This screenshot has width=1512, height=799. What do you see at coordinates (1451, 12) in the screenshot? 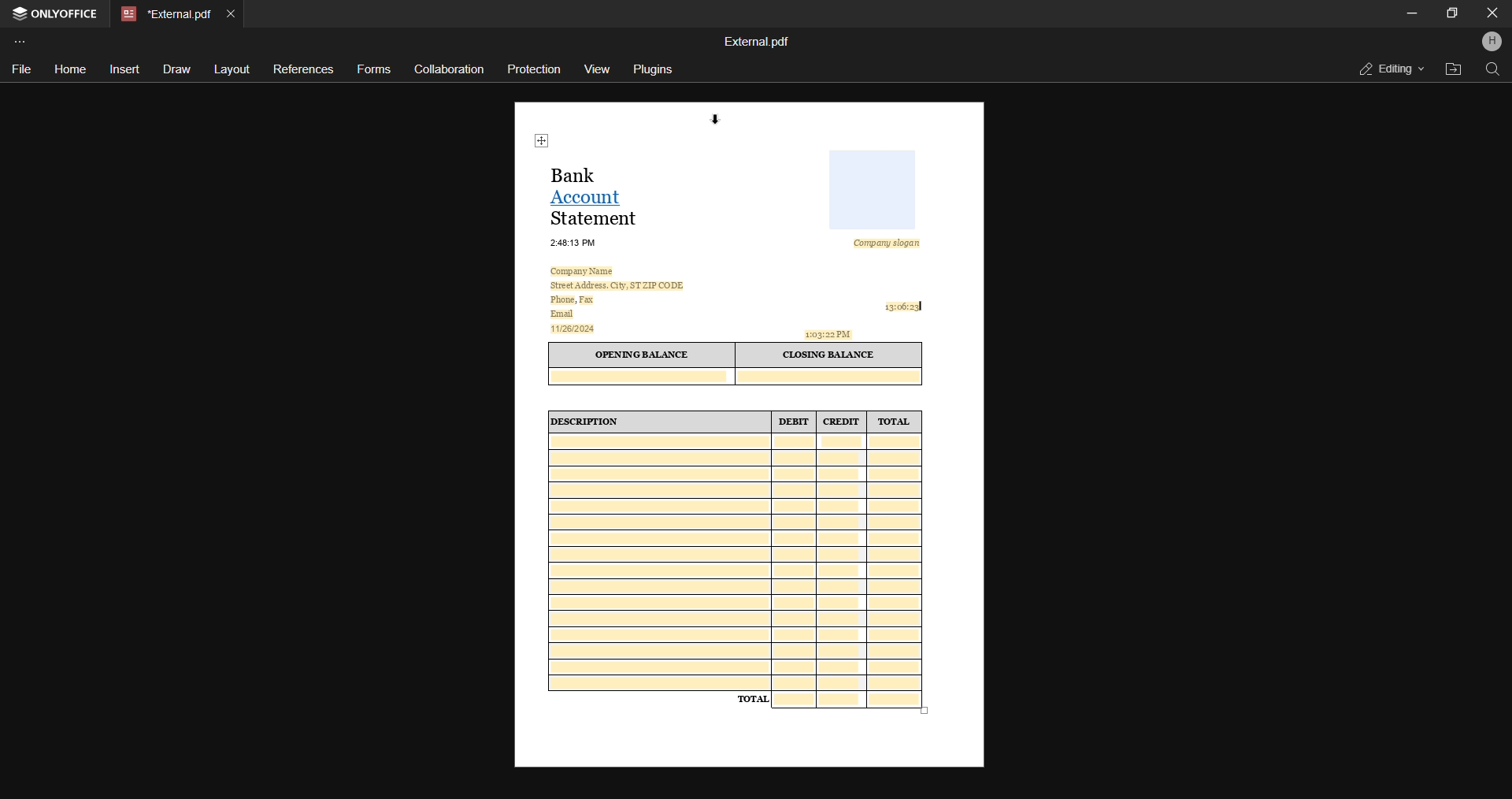
I see `maximize` at bounding box center [1451, 12].